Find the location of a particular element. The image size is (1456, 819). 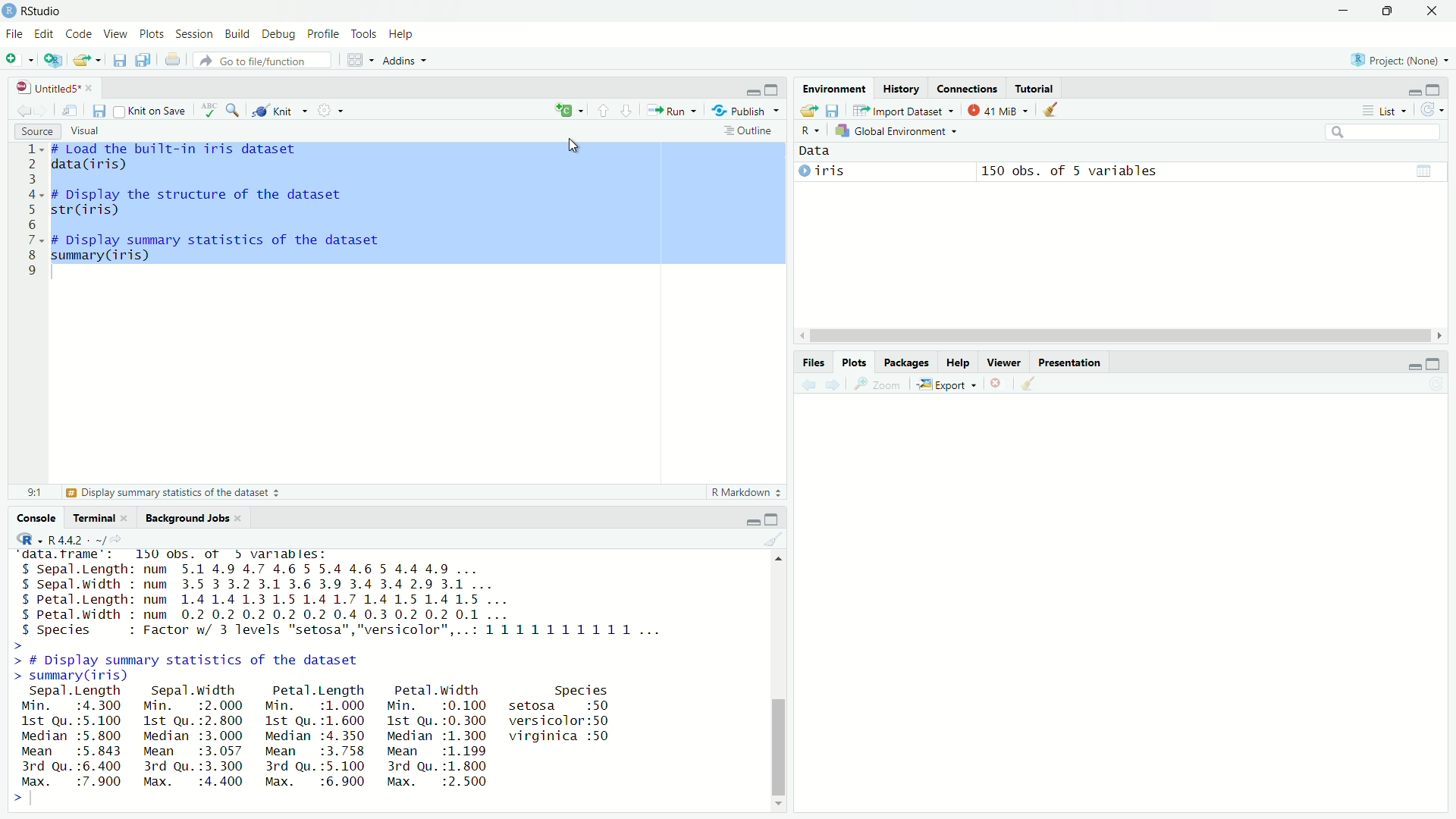

Search is located at coordinates (1384, 131).